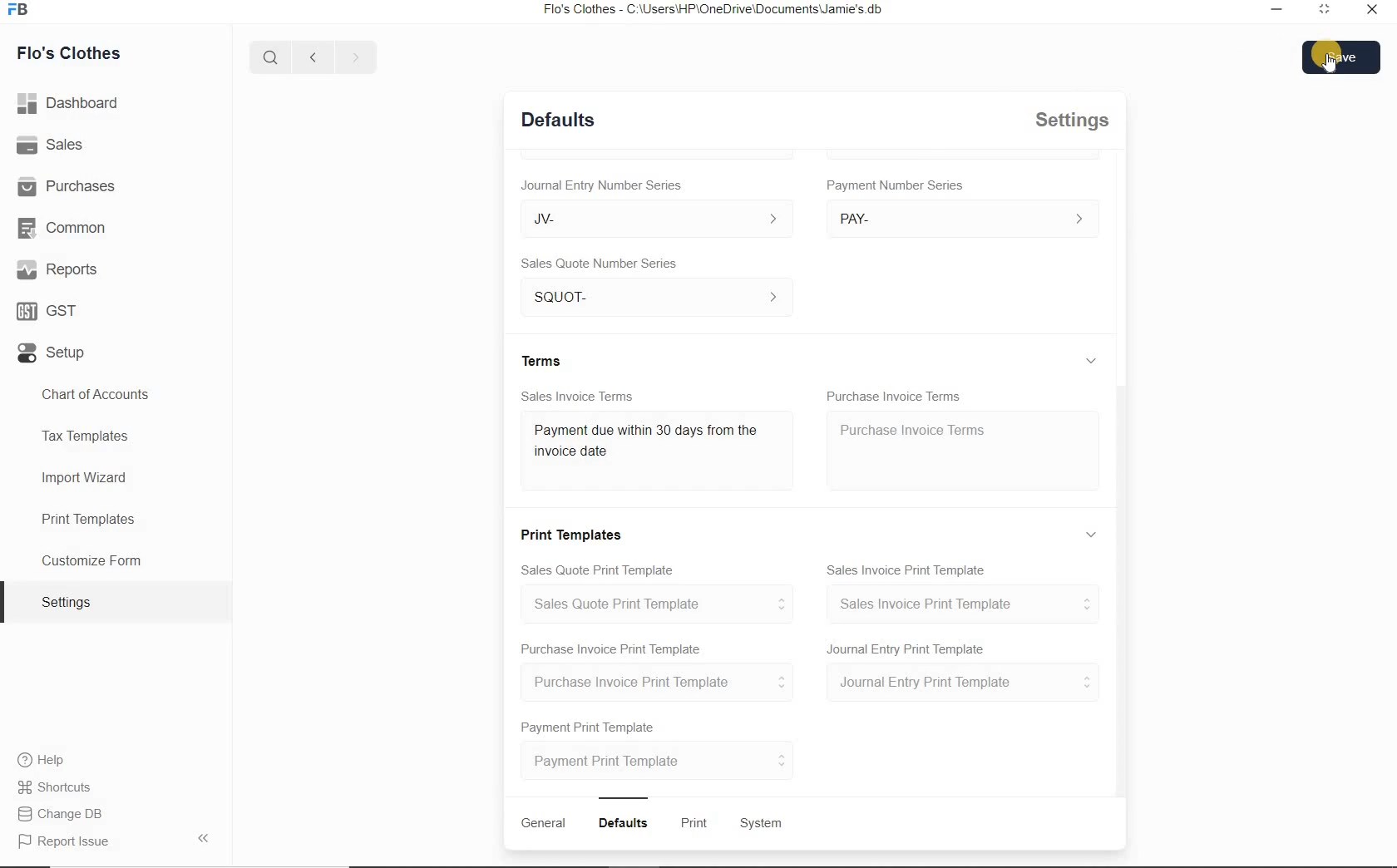  I want to click on Change DB, so click(59, 814).